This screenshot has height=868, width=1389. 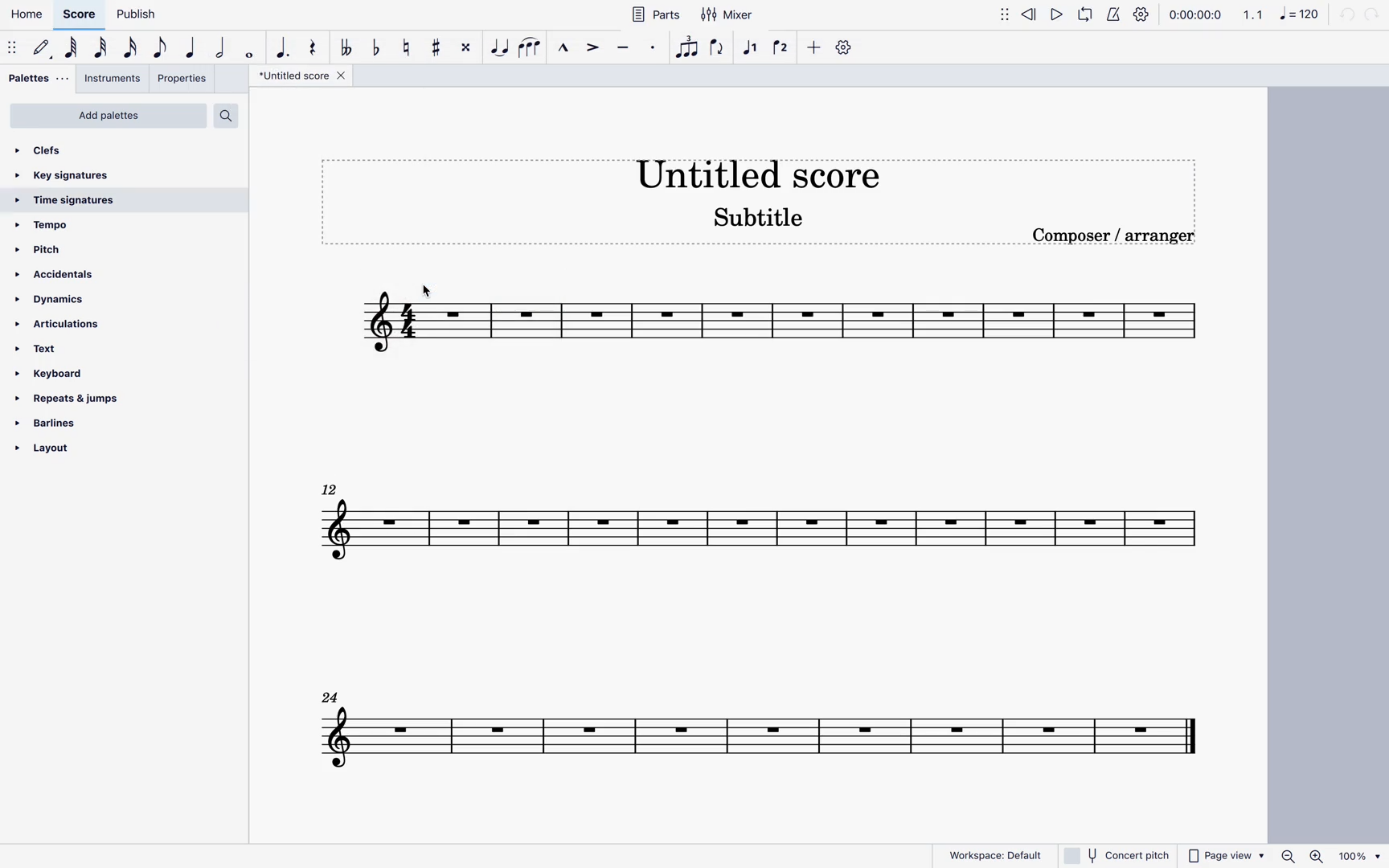 What do you see at coordinates (342, 51) in the screenshot?
I see `double toggle flat` at bounding box center [342, 51].